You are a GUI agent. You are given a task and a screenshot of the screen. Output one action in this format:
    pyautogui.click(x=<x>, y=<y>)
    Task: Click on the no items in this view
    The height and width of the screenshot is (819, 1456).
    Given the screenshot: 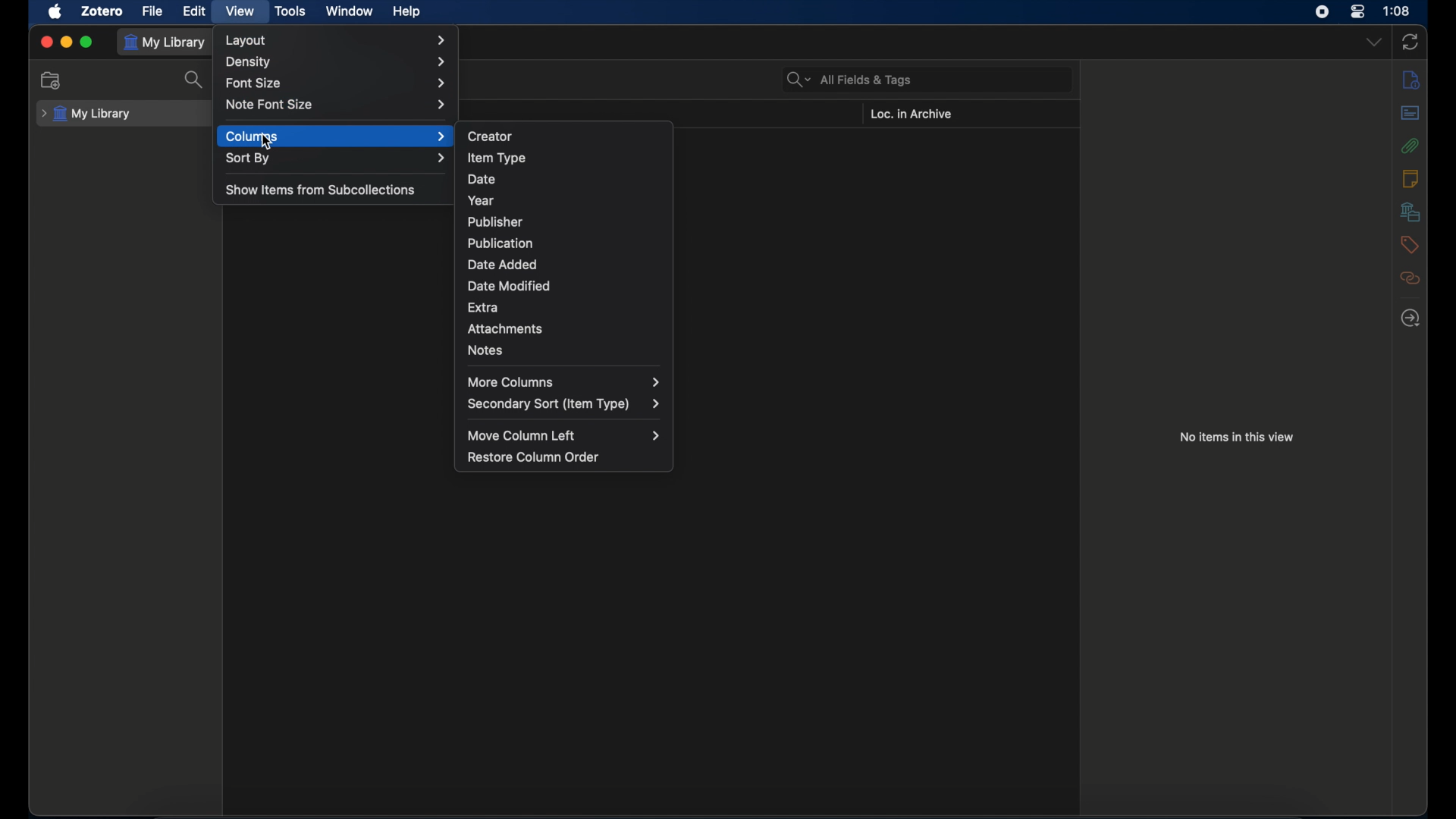 What is the action you would take?
    pyautogui.click(x=1236, y=438)
    